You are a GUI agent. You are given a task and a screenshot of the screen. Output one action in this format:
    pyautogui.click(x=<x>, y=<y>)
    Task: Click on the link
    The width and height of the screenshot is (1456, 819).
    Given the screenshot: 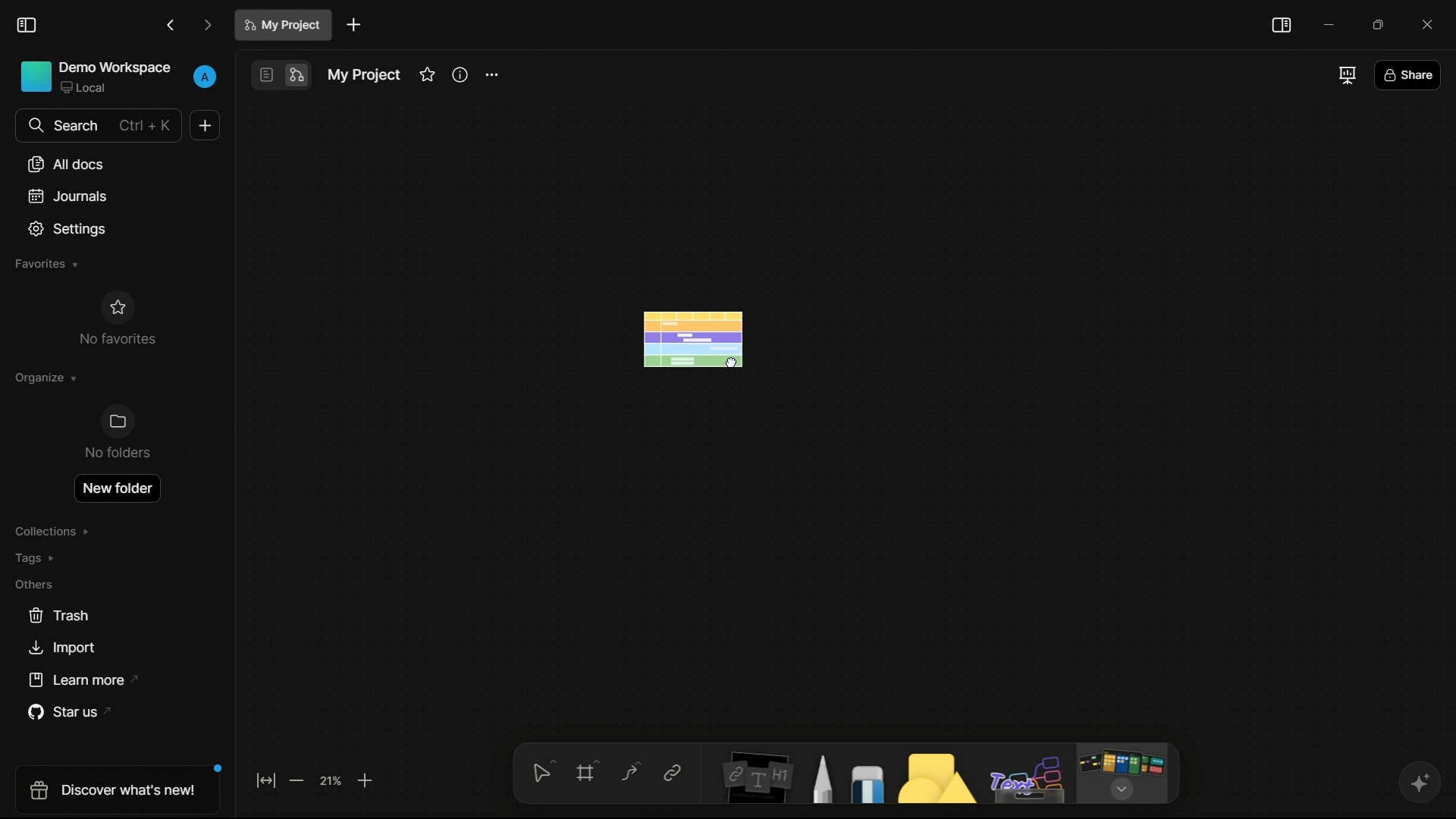 What is the action you would take?
    pyautogui.click(x=672, y=774)
    